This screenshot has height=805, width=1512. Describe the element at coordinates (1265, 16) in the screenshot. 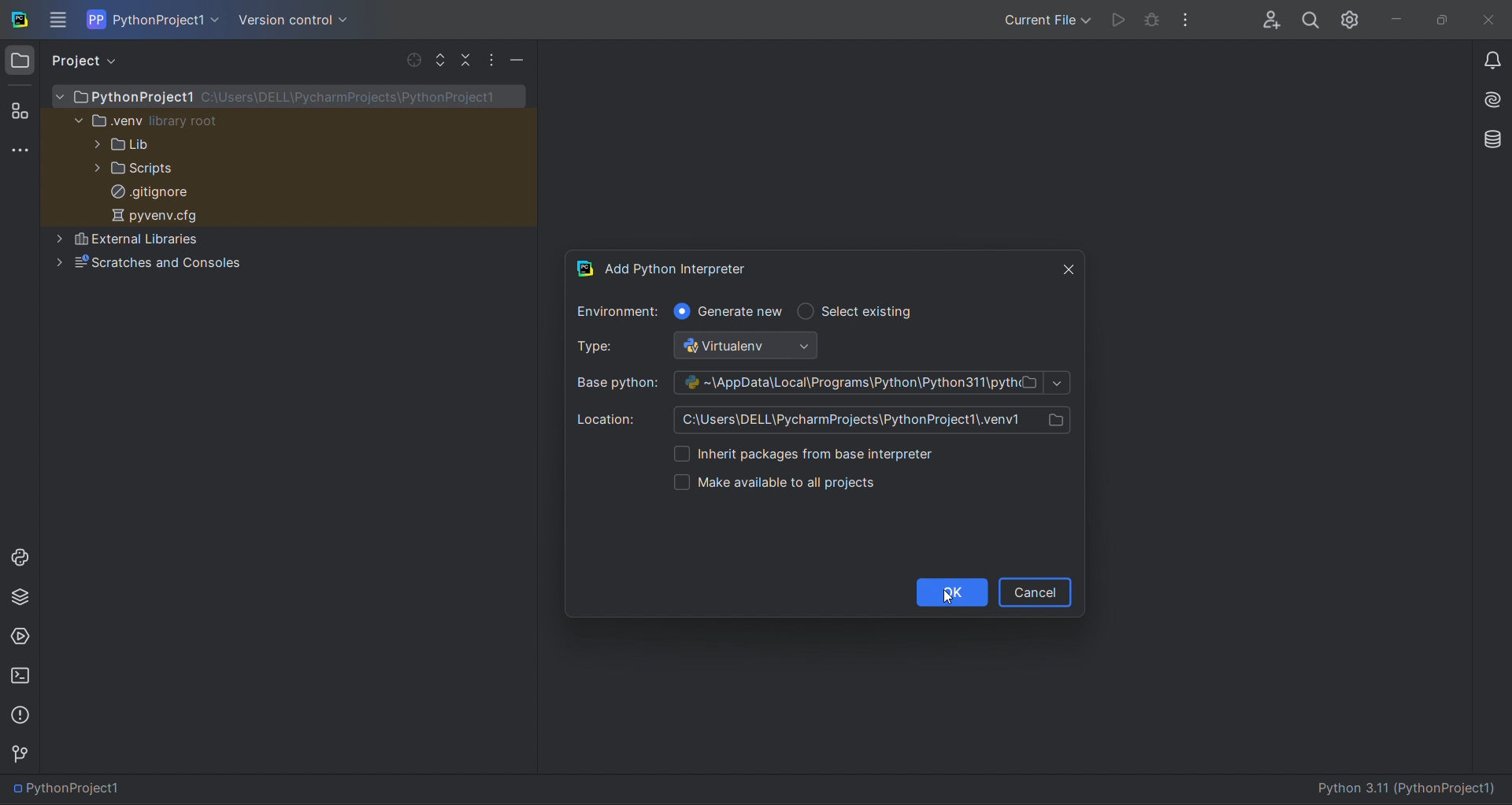

I see `collab` at that location.